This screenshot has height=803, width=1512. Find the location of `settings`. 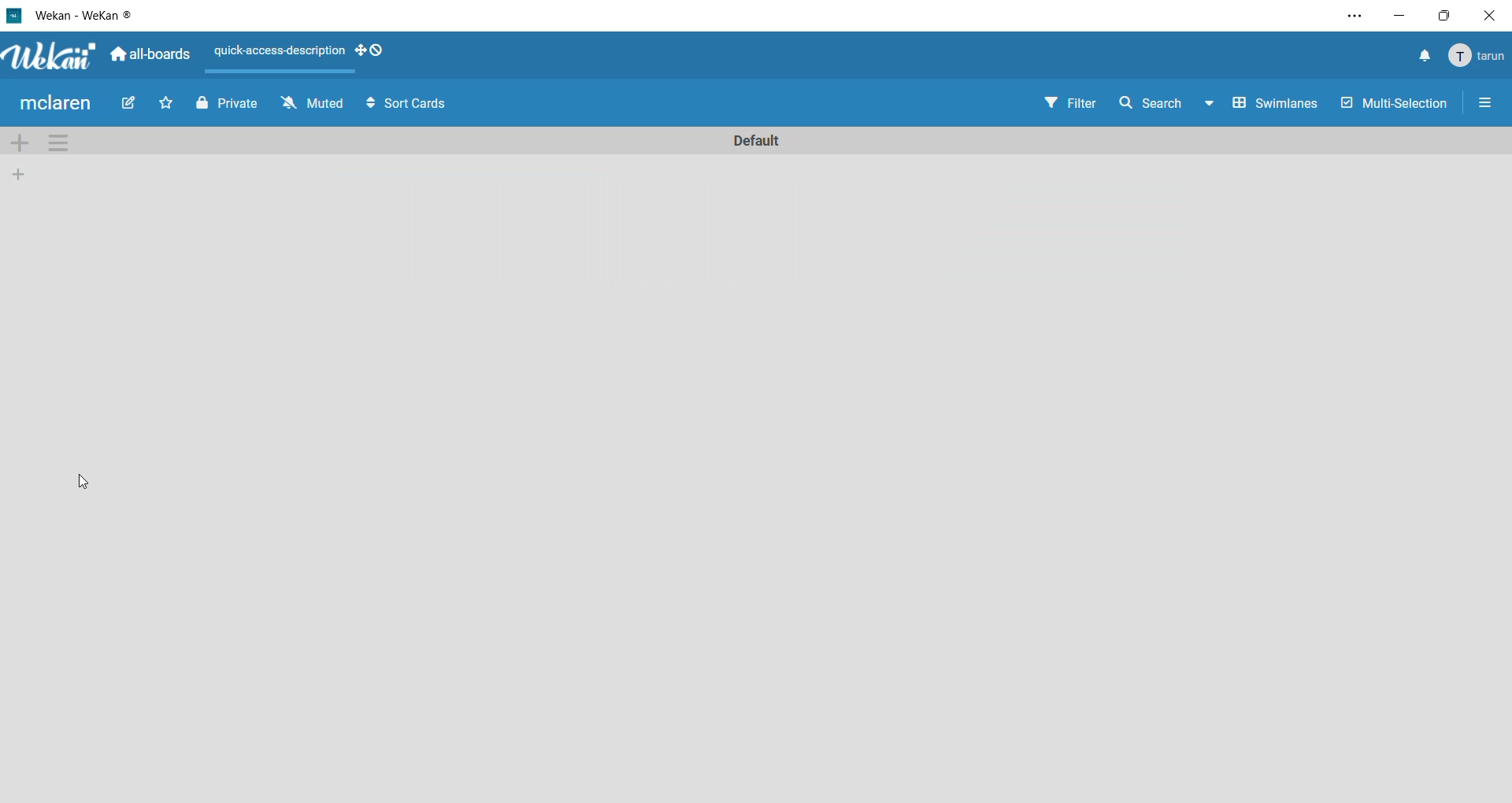

settings is located at coordinates (1357, 16).